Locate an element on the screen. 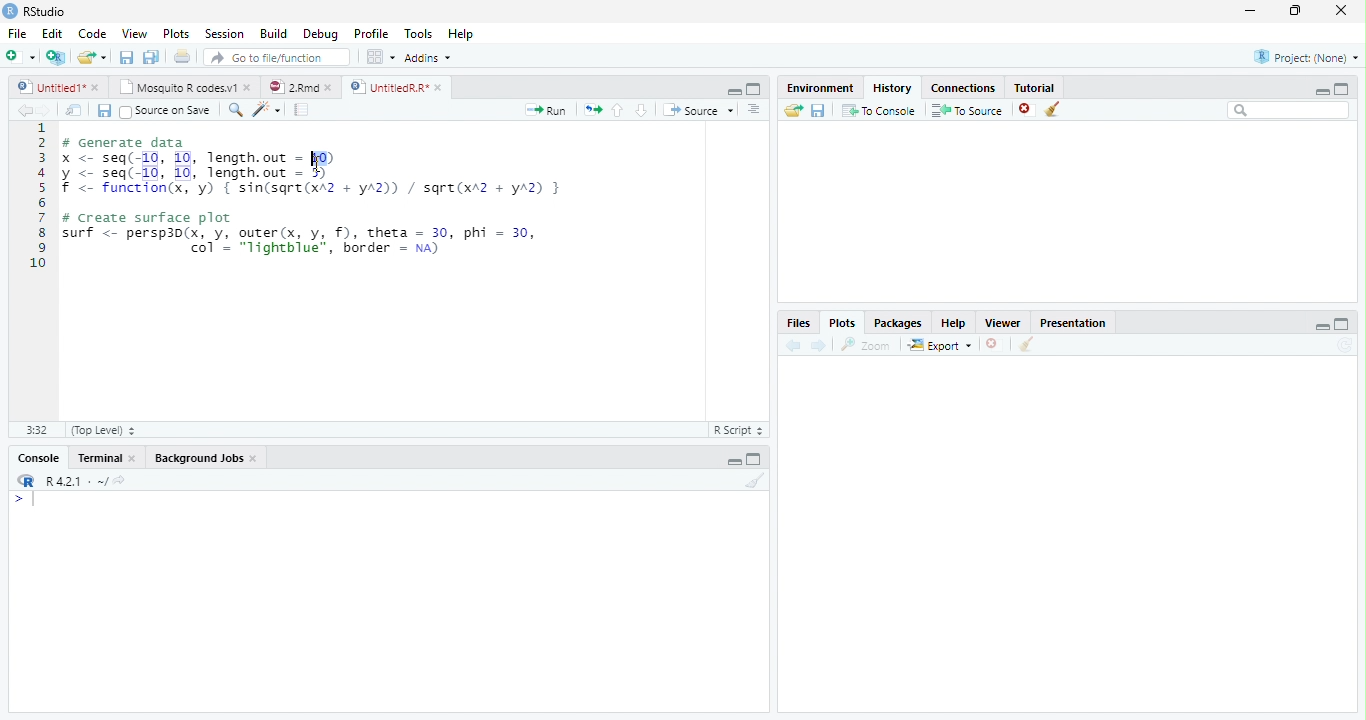 The height and width of the screenshot is (720, 1366). cursor is located at coordinates (318, 164).